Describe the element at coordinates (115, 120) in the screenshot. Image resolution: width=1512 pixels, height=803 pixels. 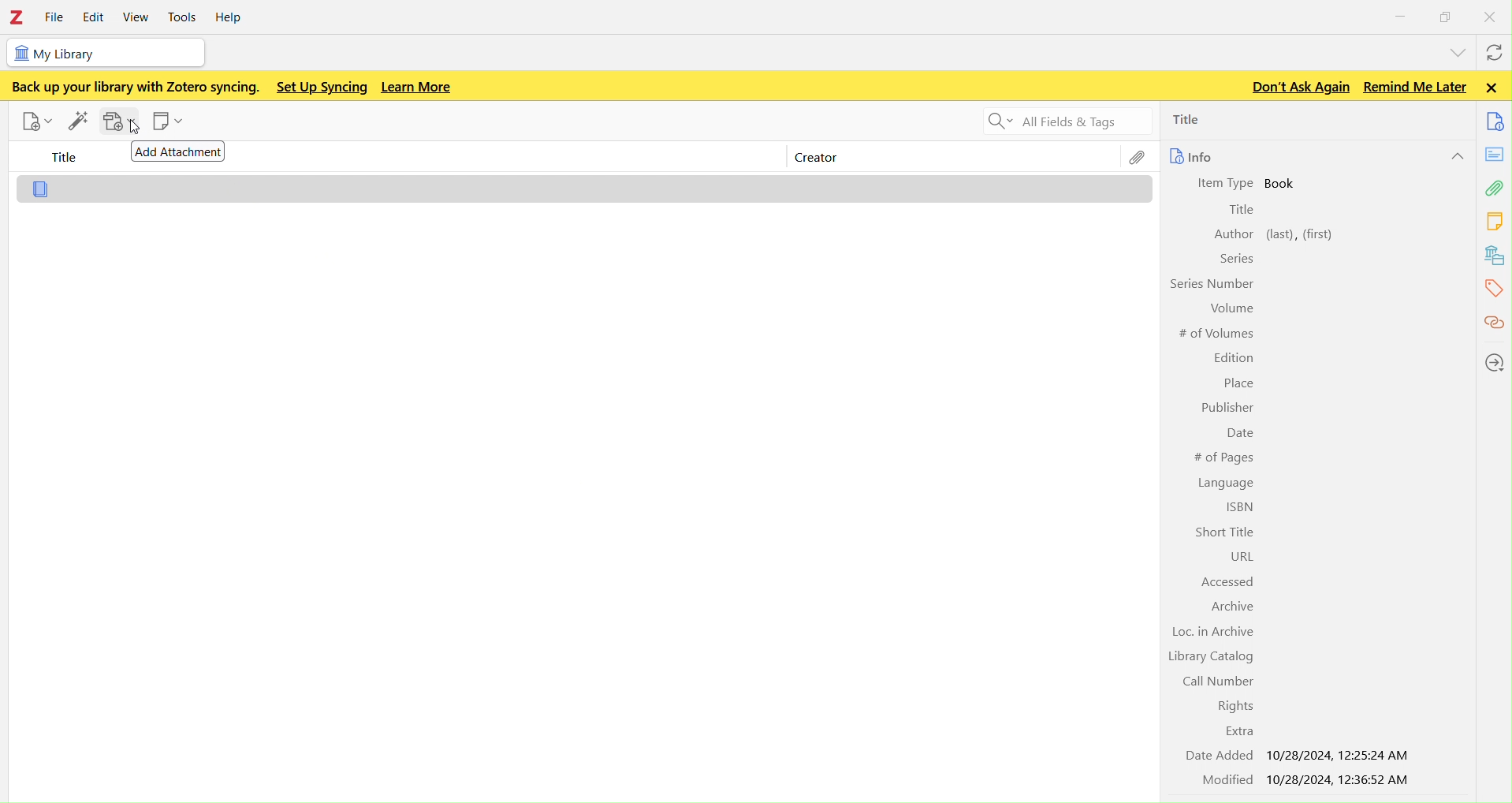
I see `add attachments` at that location.